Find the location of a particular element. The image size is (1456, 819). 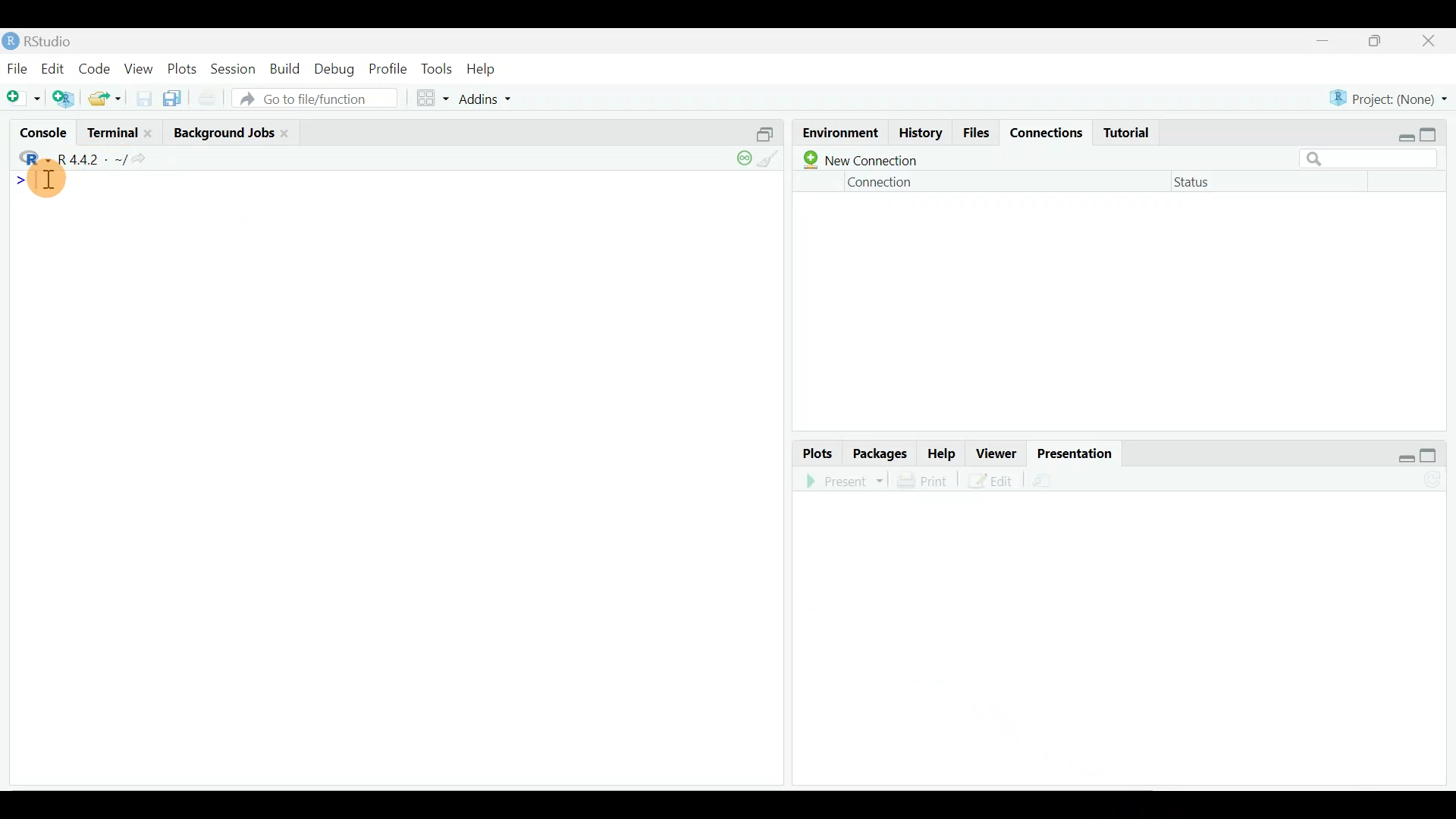

Project (None) is located at coordinates (1389, 93).